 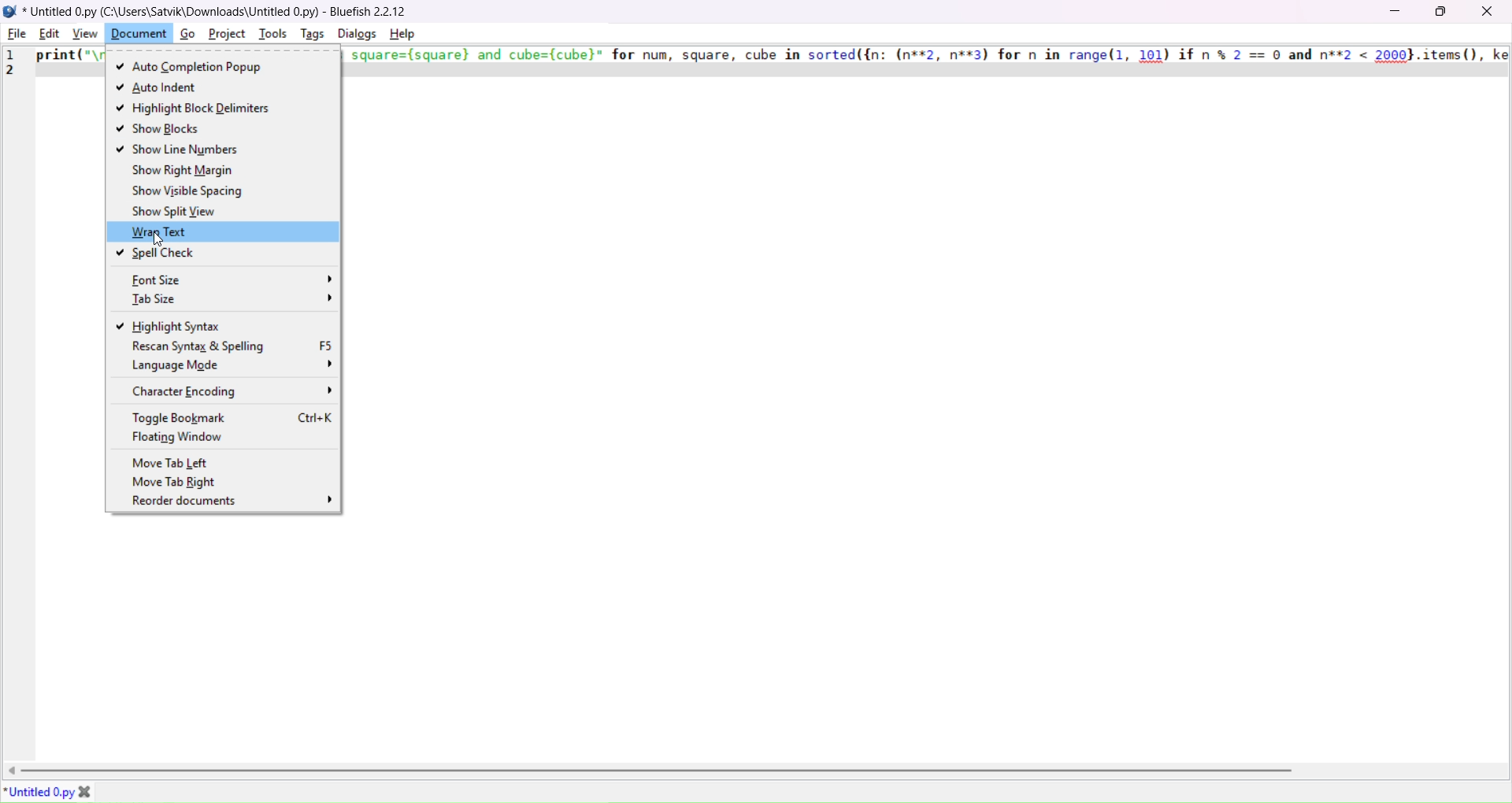 What do you see at coordinates (234, 417) in the screenshot?
I see `toggle bookmark` at bounding box center [234, 417].